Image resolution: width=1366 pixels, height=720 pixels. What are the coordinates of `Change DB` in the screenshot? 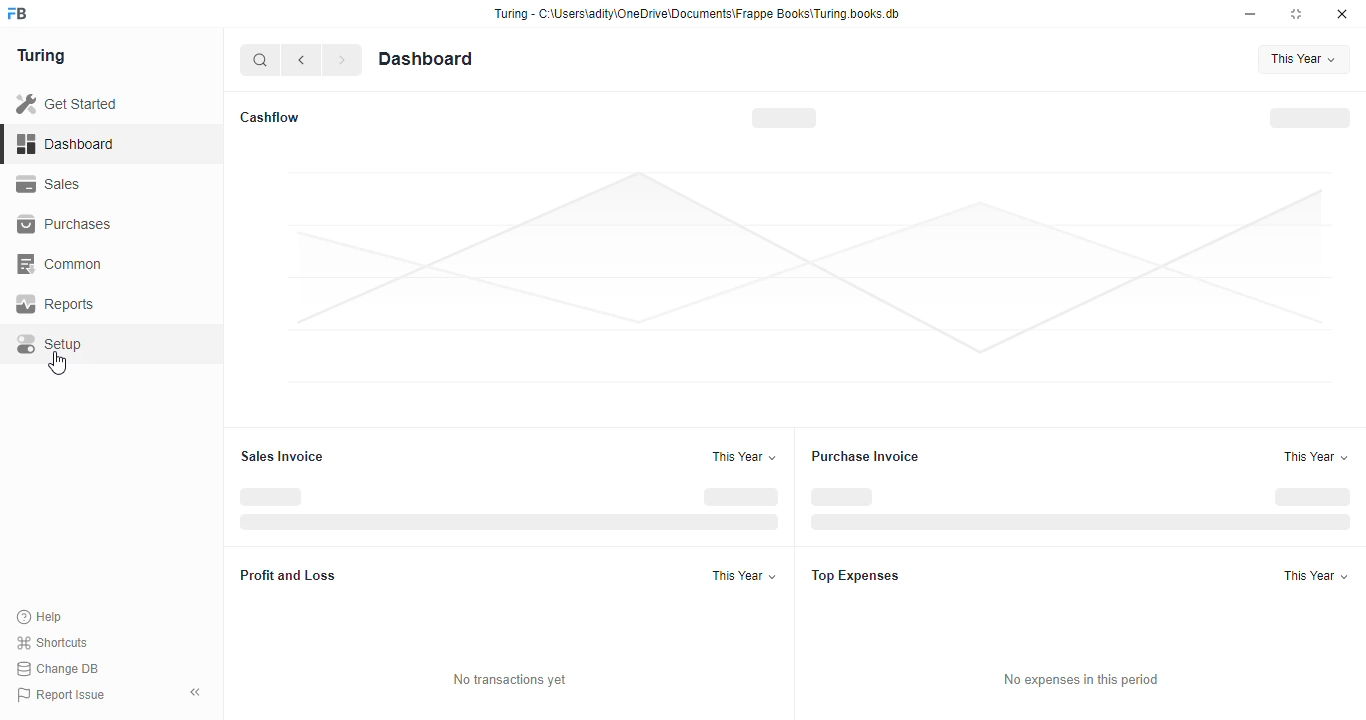 It's located at (60, 670).